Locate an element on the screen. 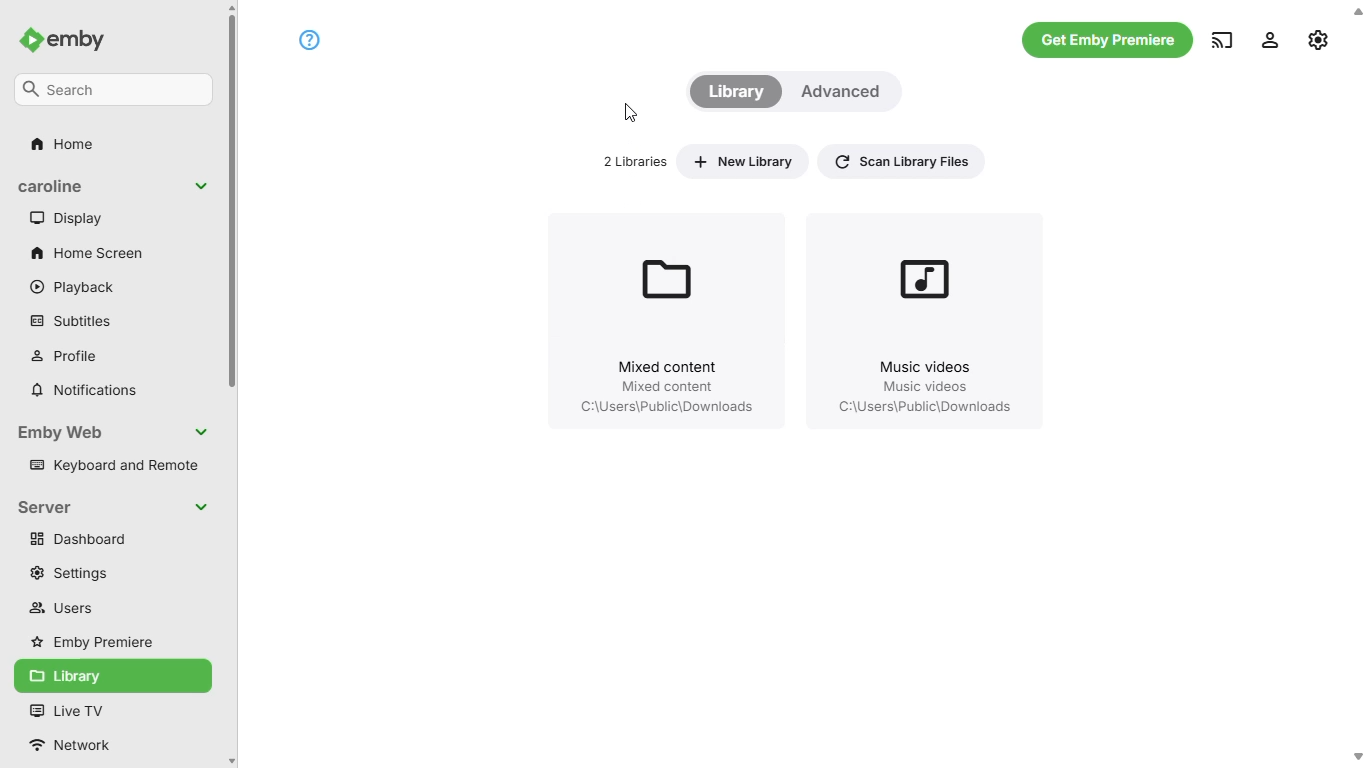  home is located at coordinates (61, 144).